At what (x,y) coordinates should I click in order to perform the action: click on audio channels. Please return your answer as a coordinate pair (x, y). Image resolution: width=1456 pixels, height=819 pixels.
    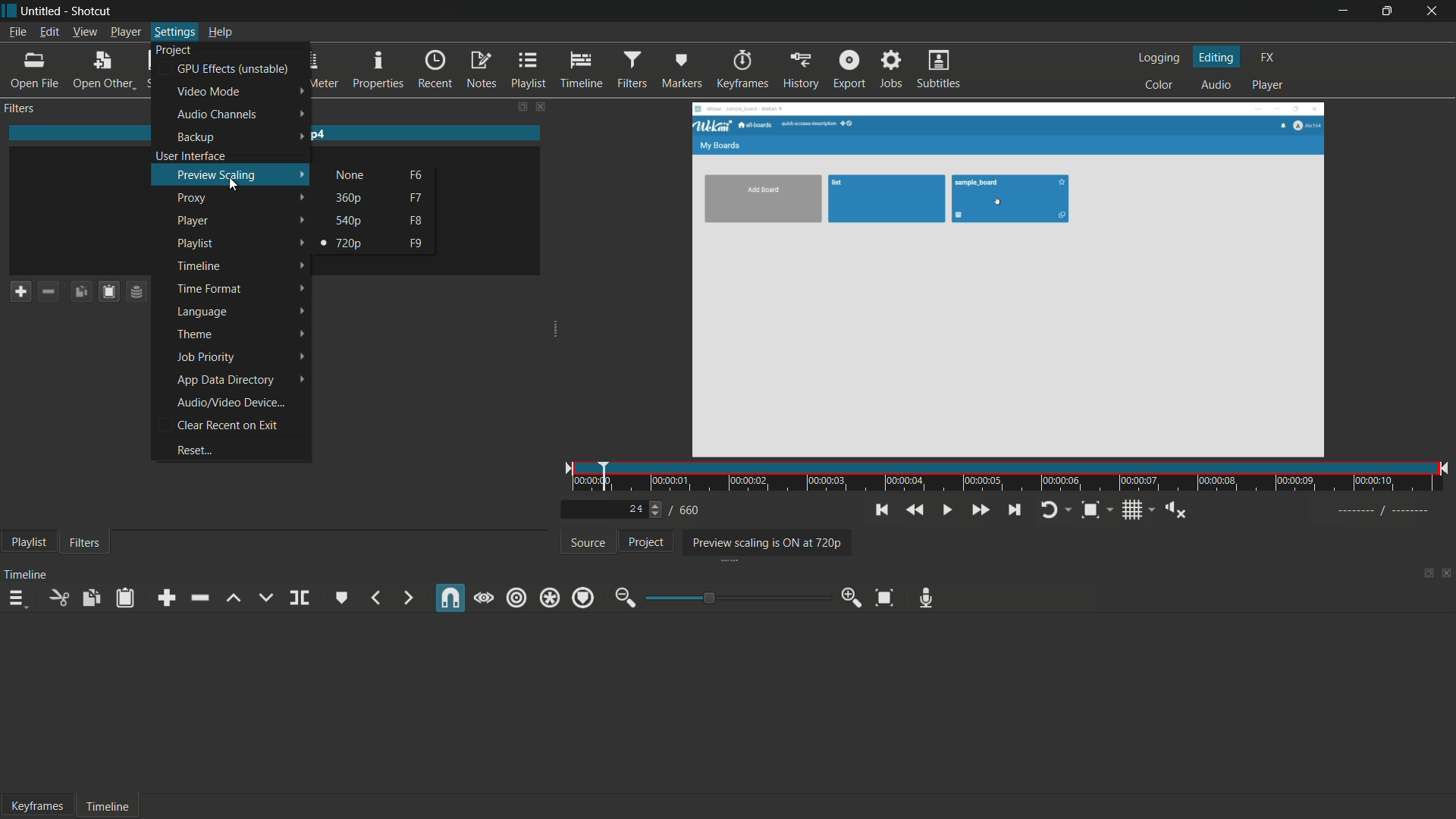
    Looking at the image, I should click on (217, 115).